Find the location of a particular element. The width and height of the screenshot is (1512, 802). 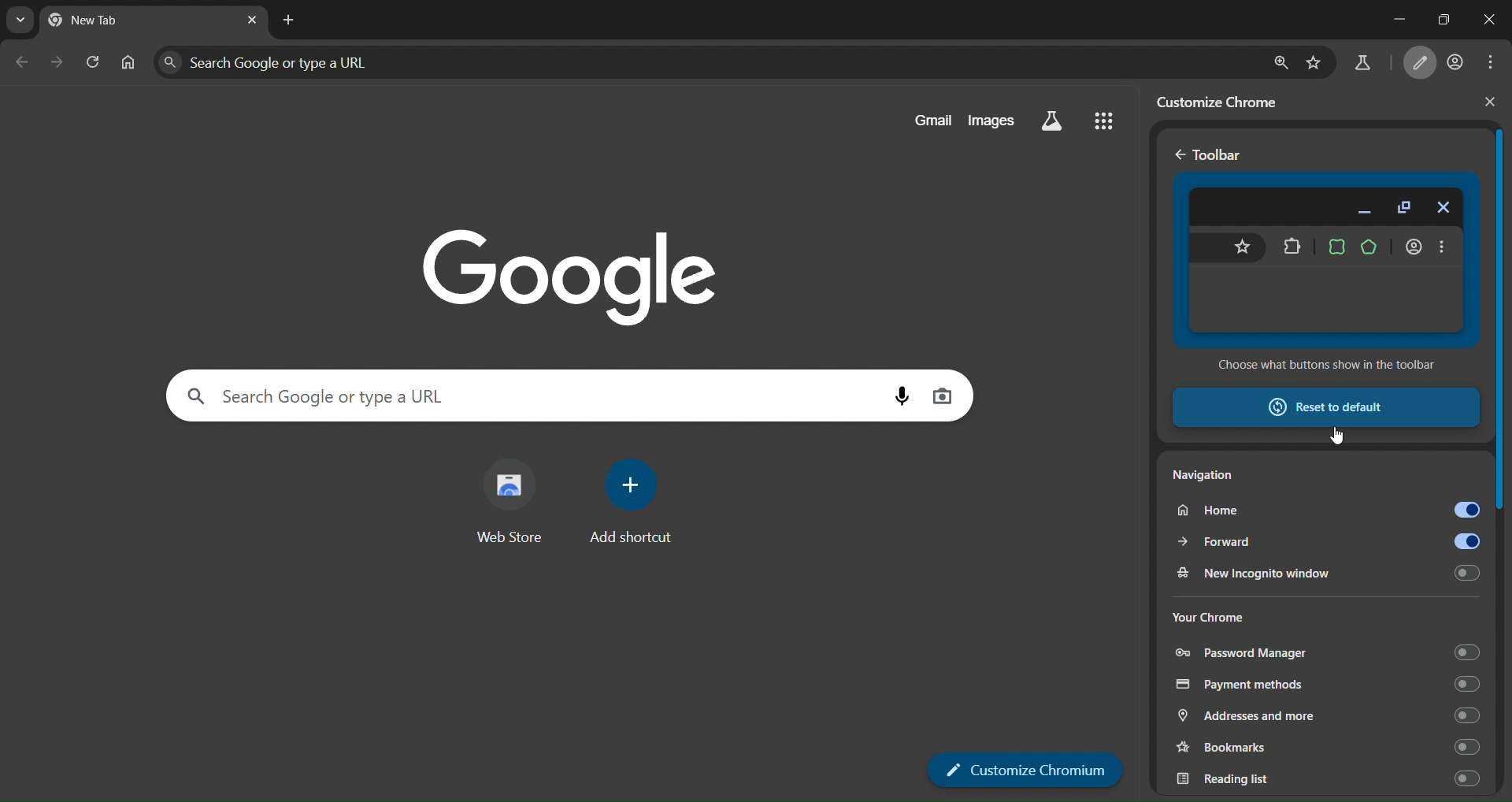

image with google text is located at coordinates (583, 269).